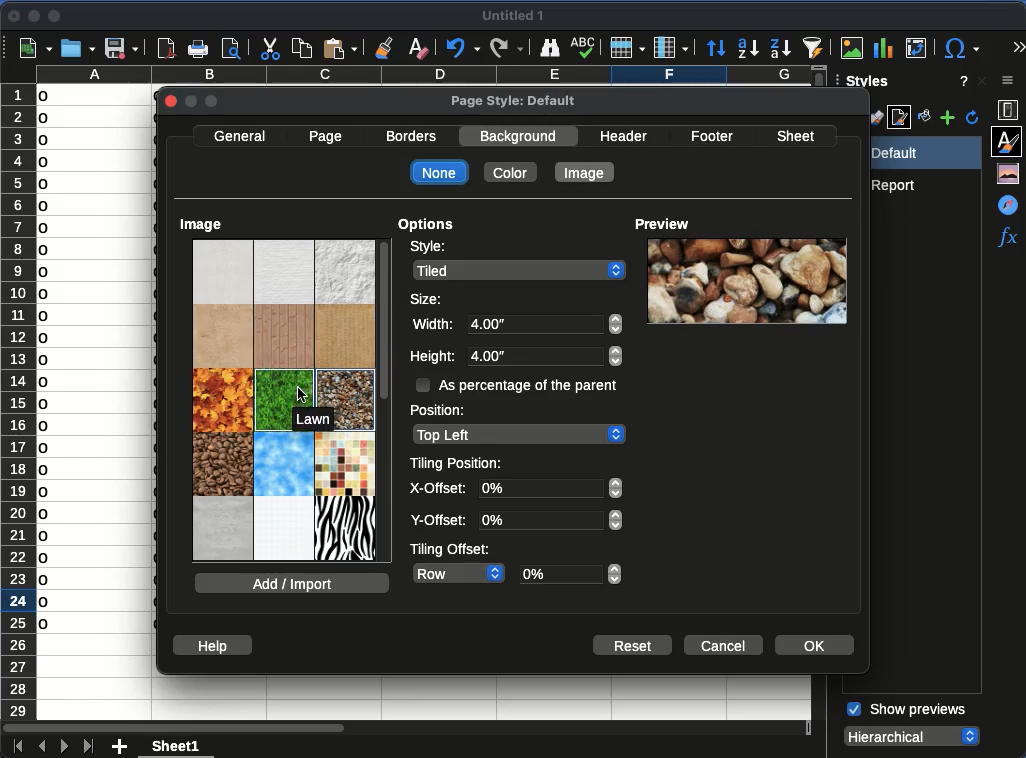 The image size is (1026, 758). What do you see at coordinates (914, 735) in the screenshot?
I see `hierarchical ` at bounding box center [914, 735].